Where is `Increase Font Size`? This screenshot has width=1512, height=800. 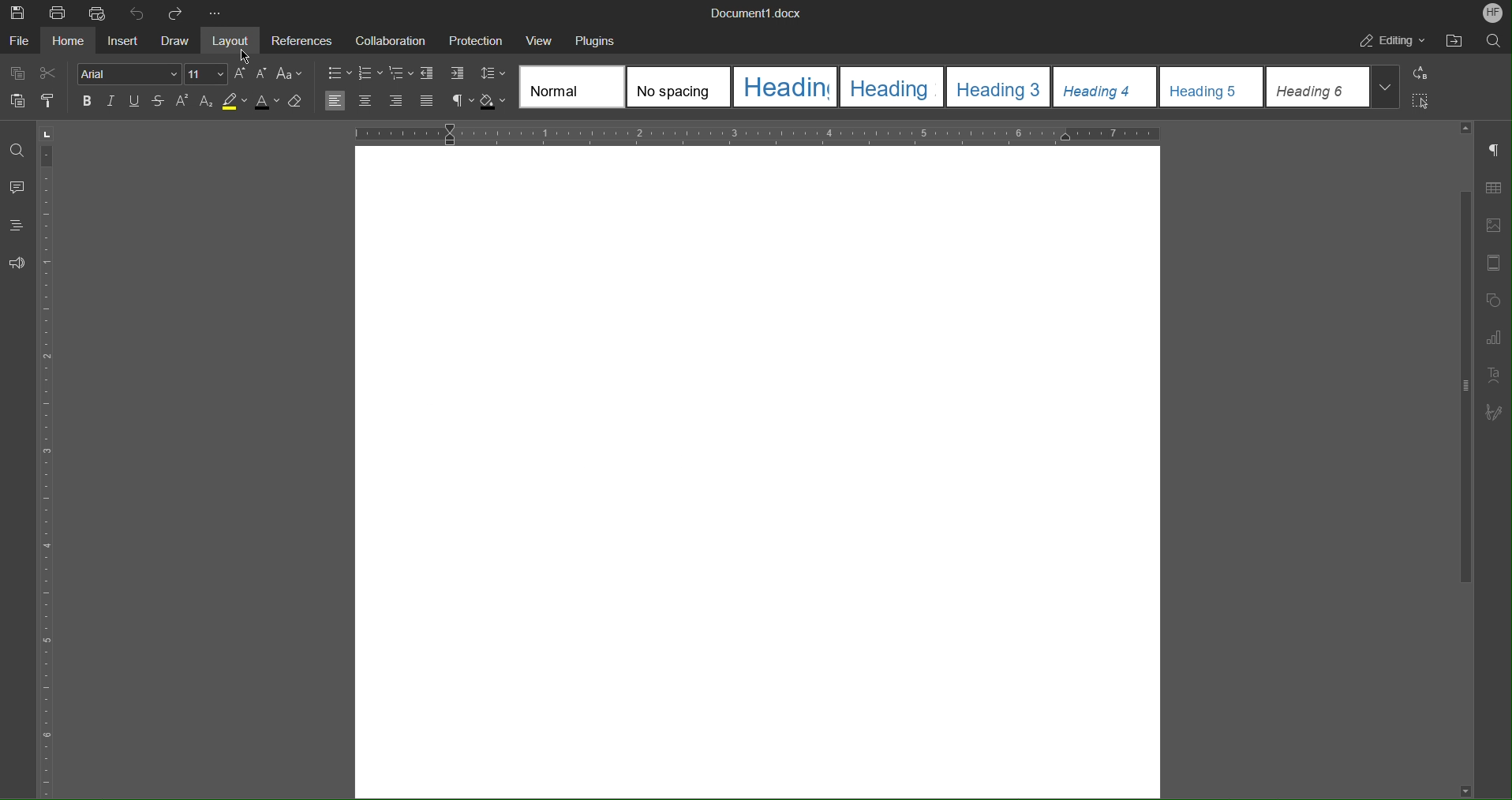 Increase Font Size is located at coordinates (241, 74).